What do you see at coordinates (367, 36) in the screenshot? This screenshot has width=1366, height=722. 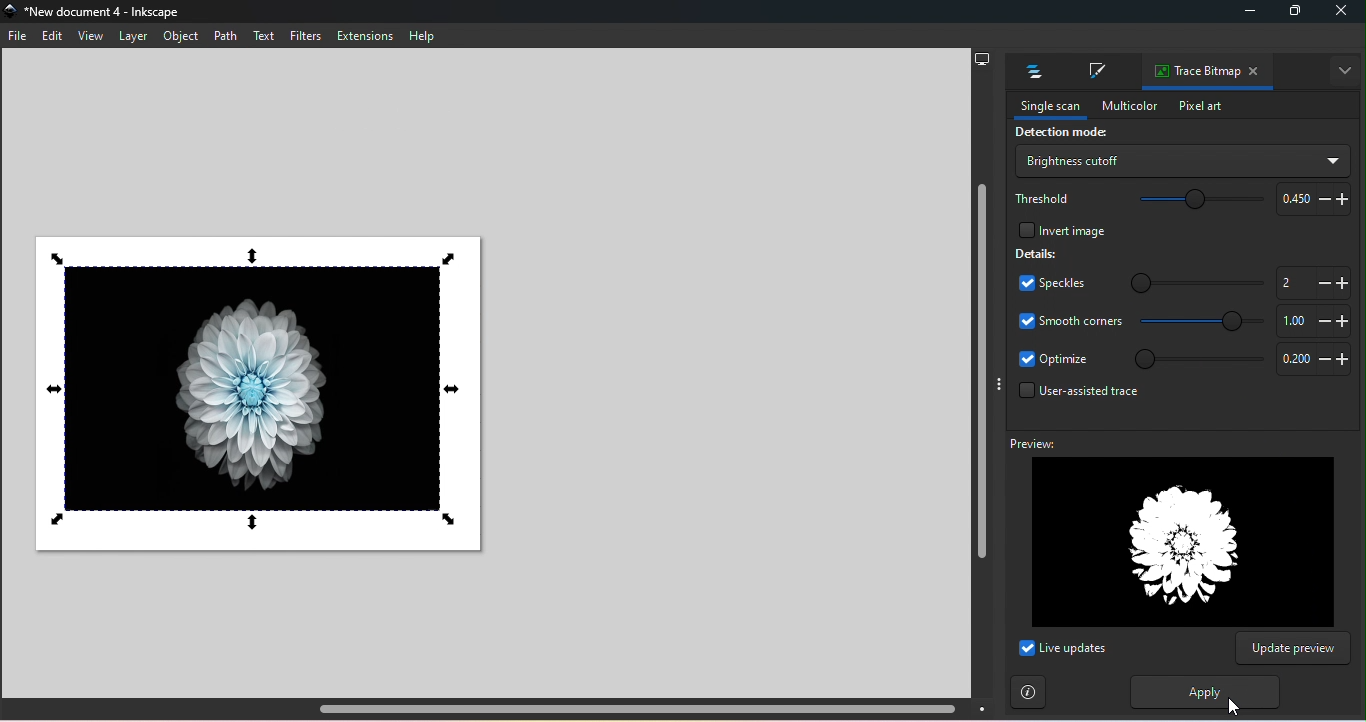 I see `Extensions` at bounding box center [367, 36].